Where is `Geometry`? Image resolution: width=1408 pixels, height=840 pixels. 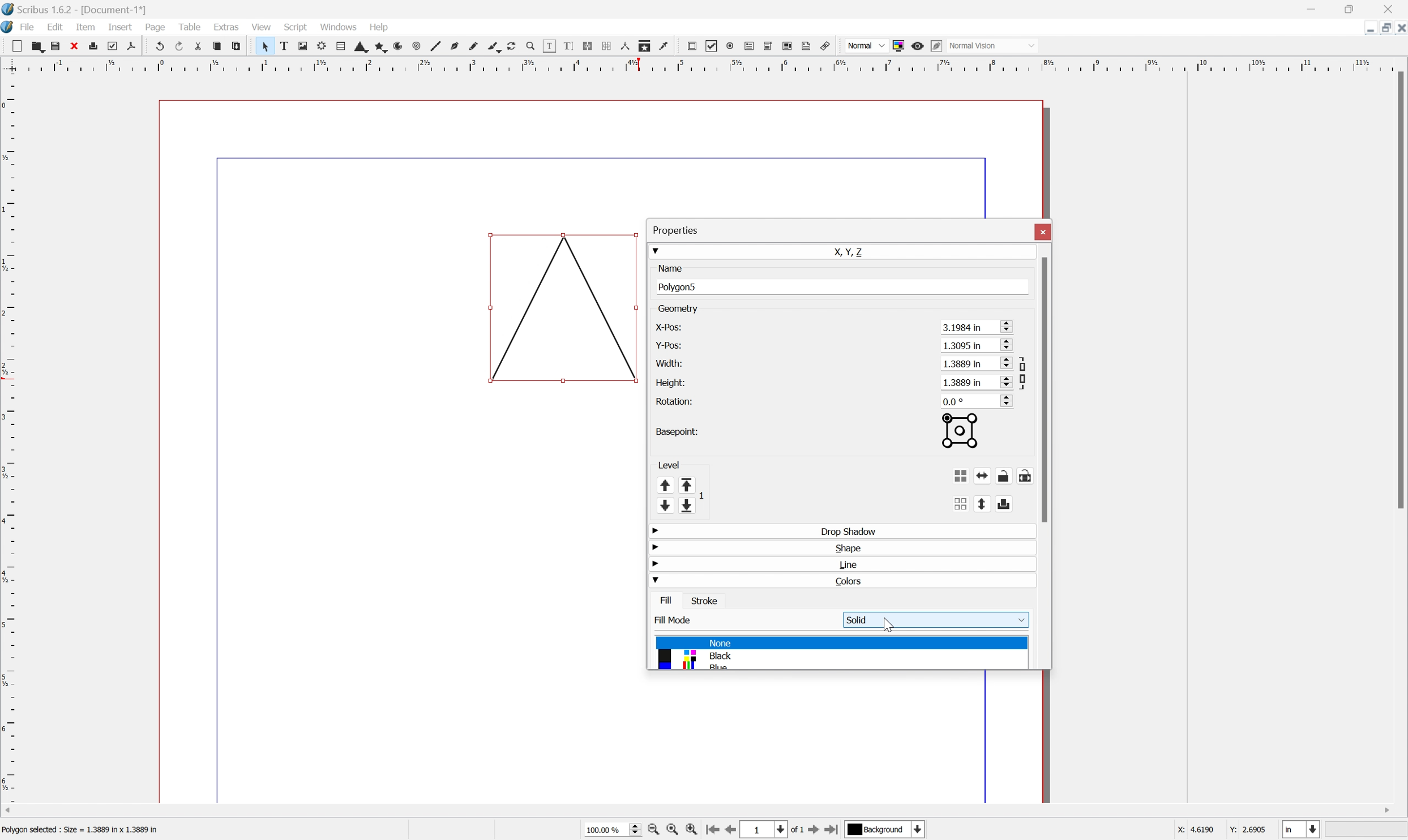
Geometry is located at coordinates (679, 308).